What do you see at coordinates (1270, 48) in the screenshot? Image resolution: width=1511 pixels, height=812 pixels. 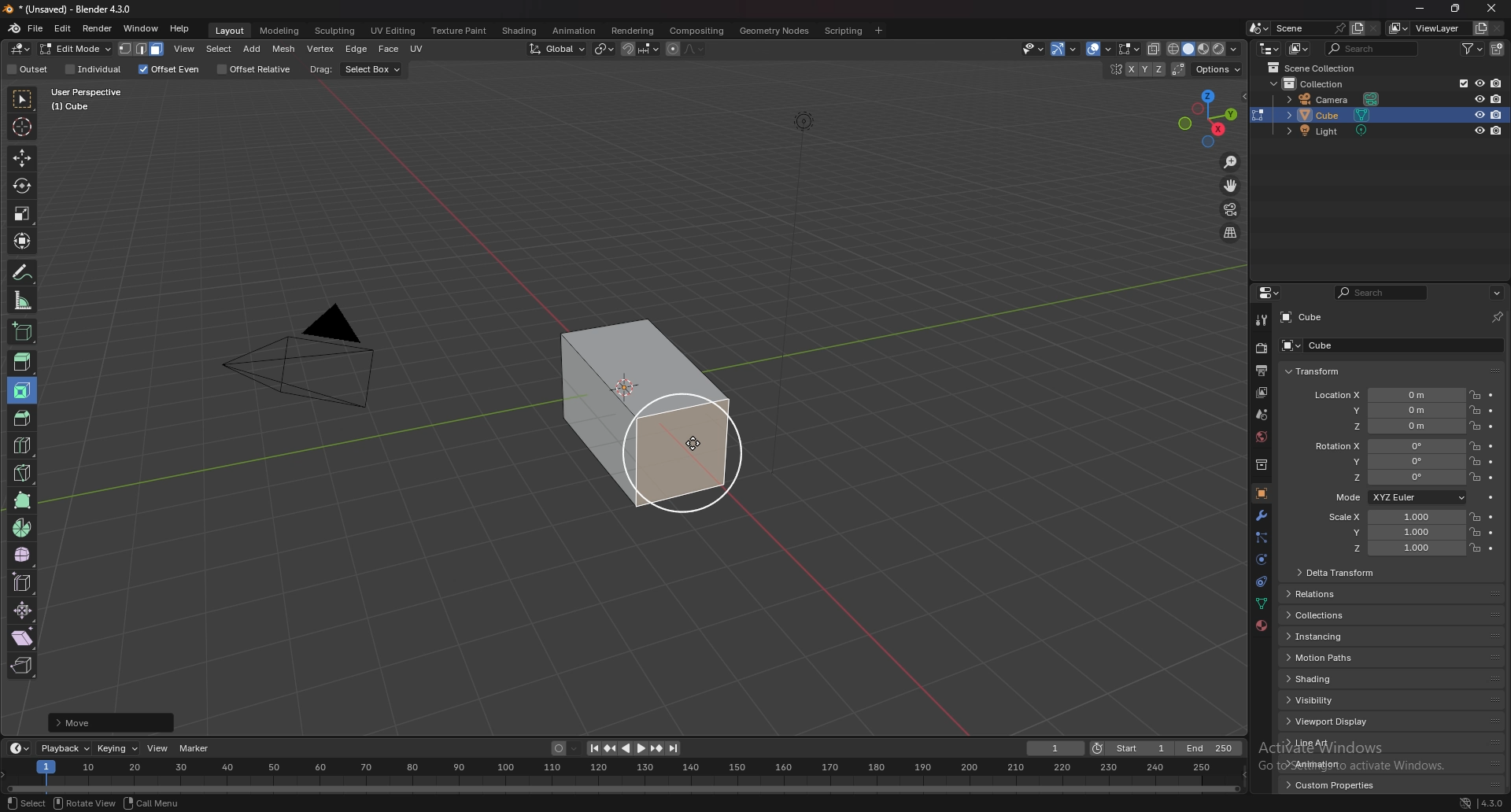 I see `editor type` at bounding box center [1270, 48].